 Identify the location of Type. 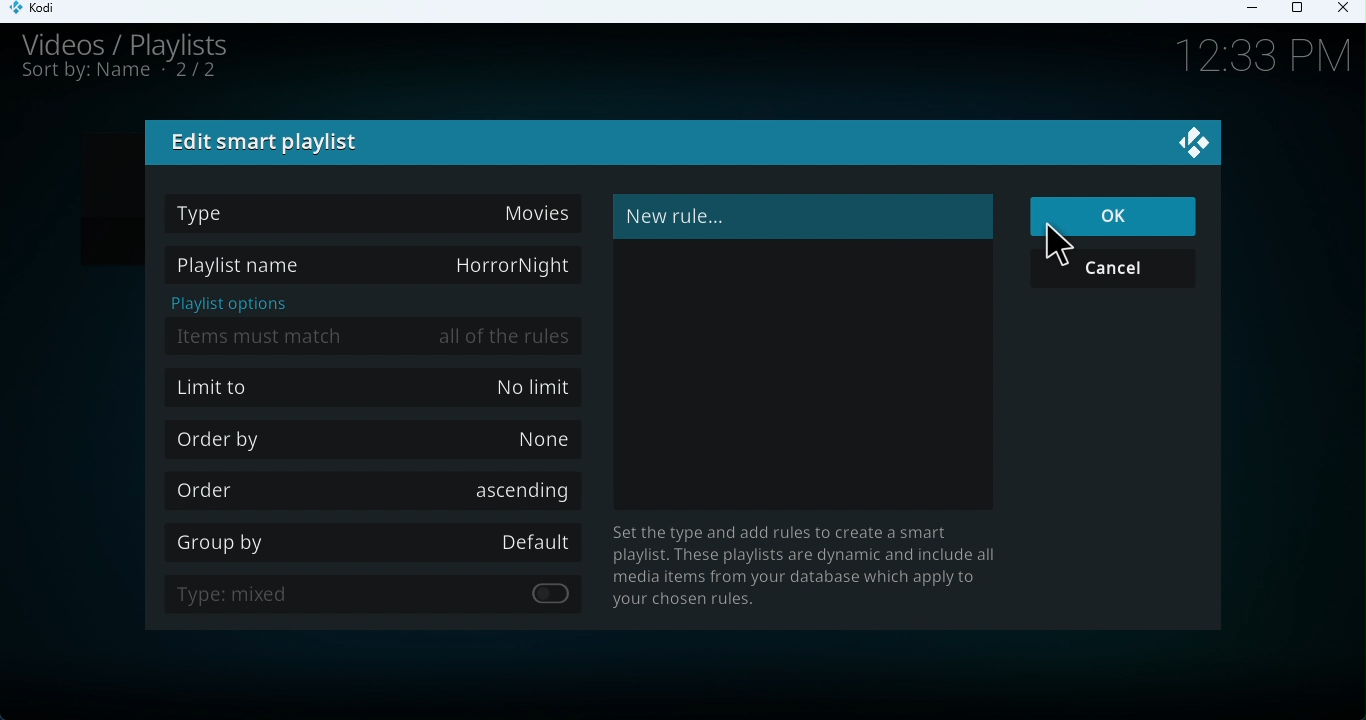
(373, 211).